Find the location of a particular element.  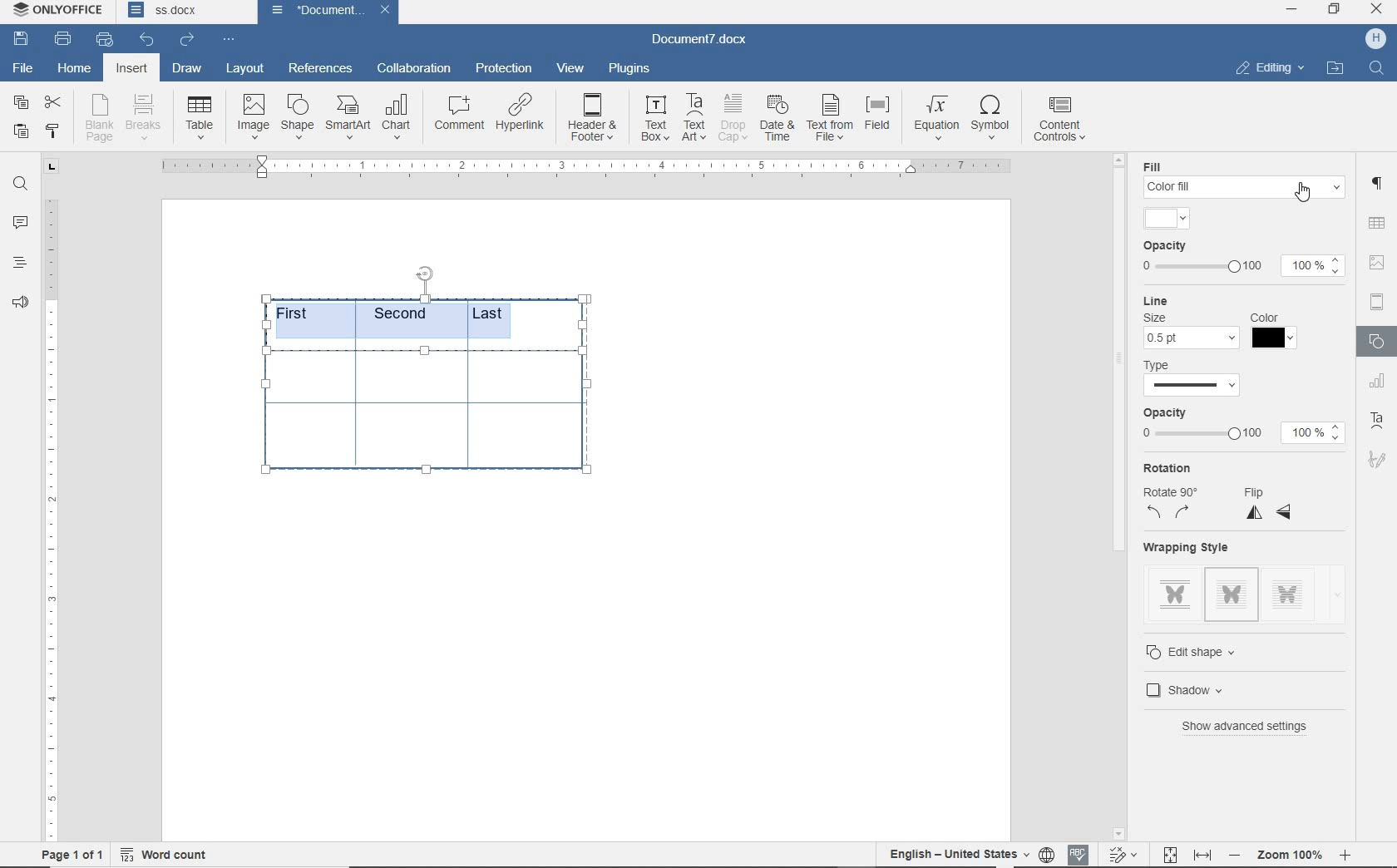

100% is located at coordinates (1315, 264).